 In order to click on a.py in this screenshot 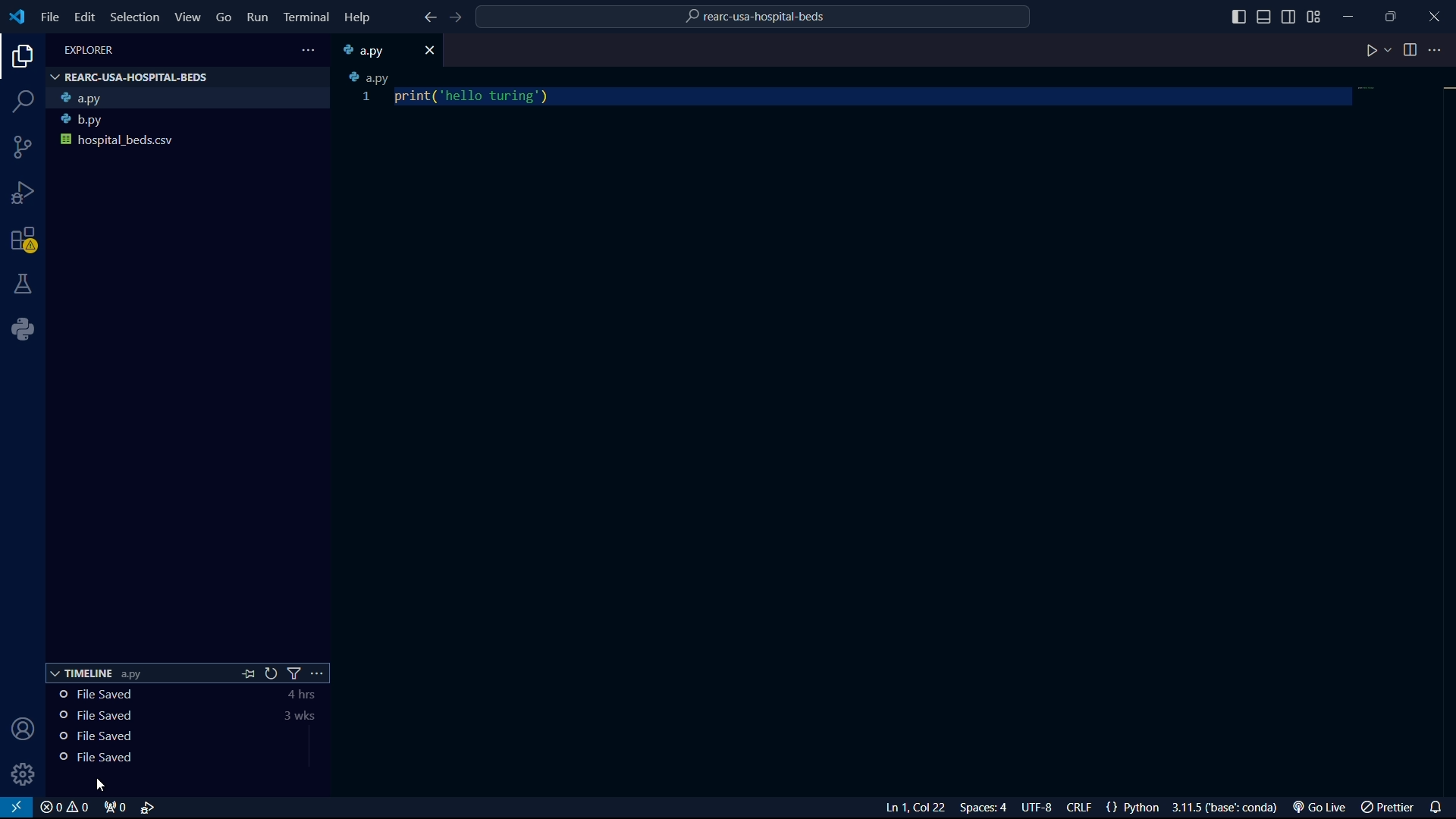, I will do `click(371, 77)`.